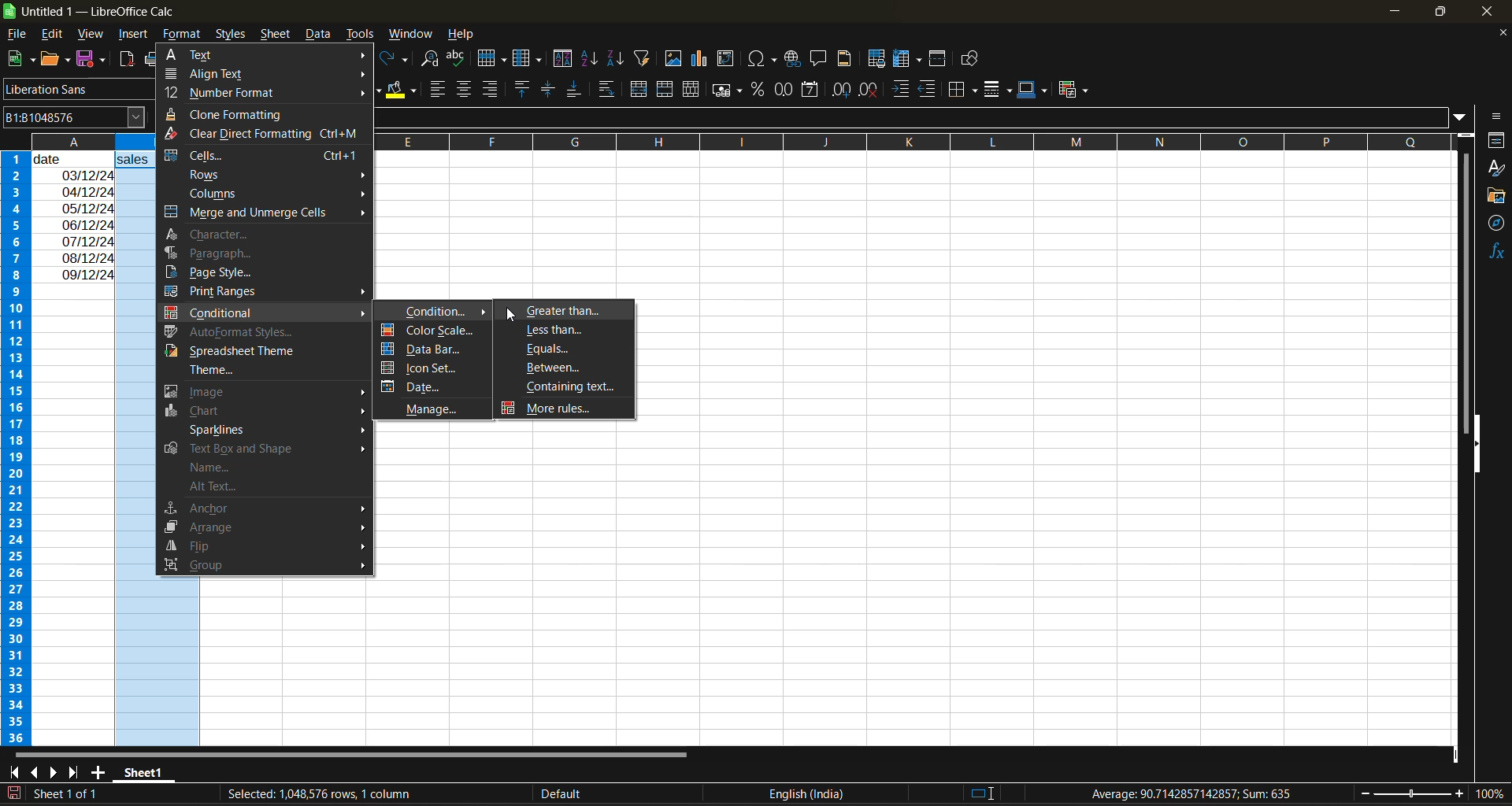  Describe the element at coordinates (265, 449) in the screenshot. I see `text box and shape` at that location.